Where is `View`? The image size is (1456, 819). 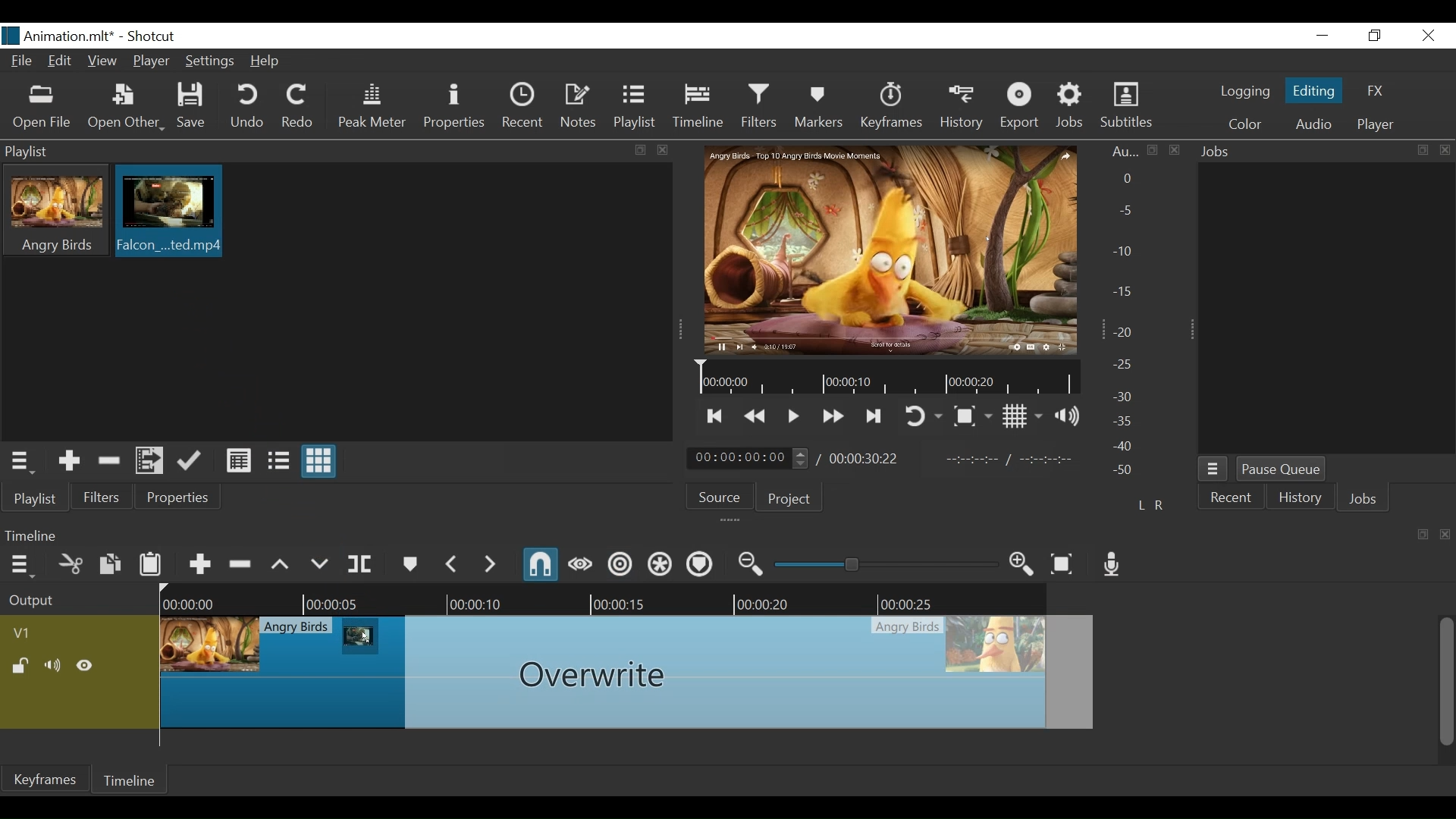 View is located at coordinates (103, 61).